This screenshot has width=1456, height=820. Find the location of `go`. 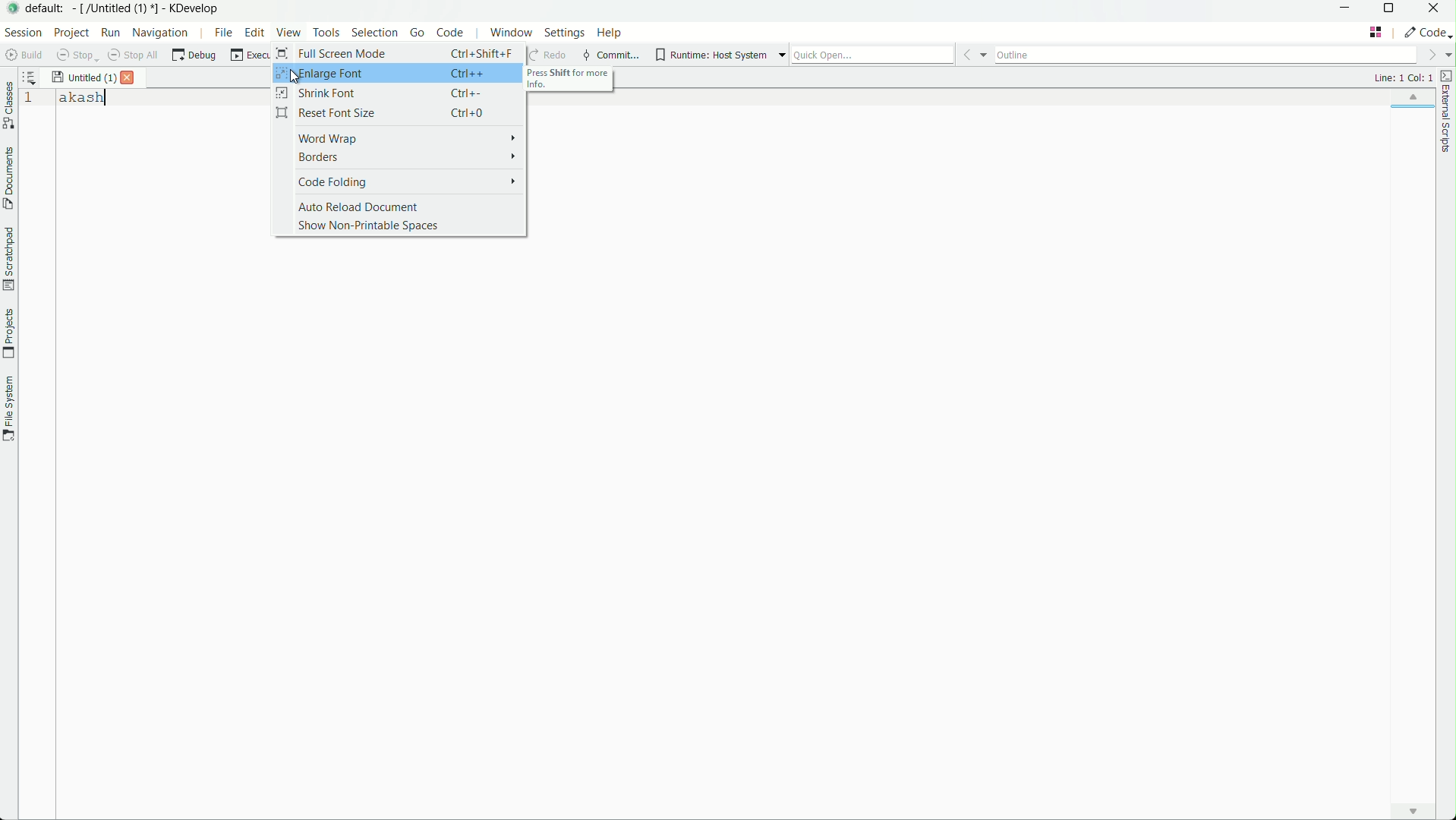

go is located at coordinates (418, 33).